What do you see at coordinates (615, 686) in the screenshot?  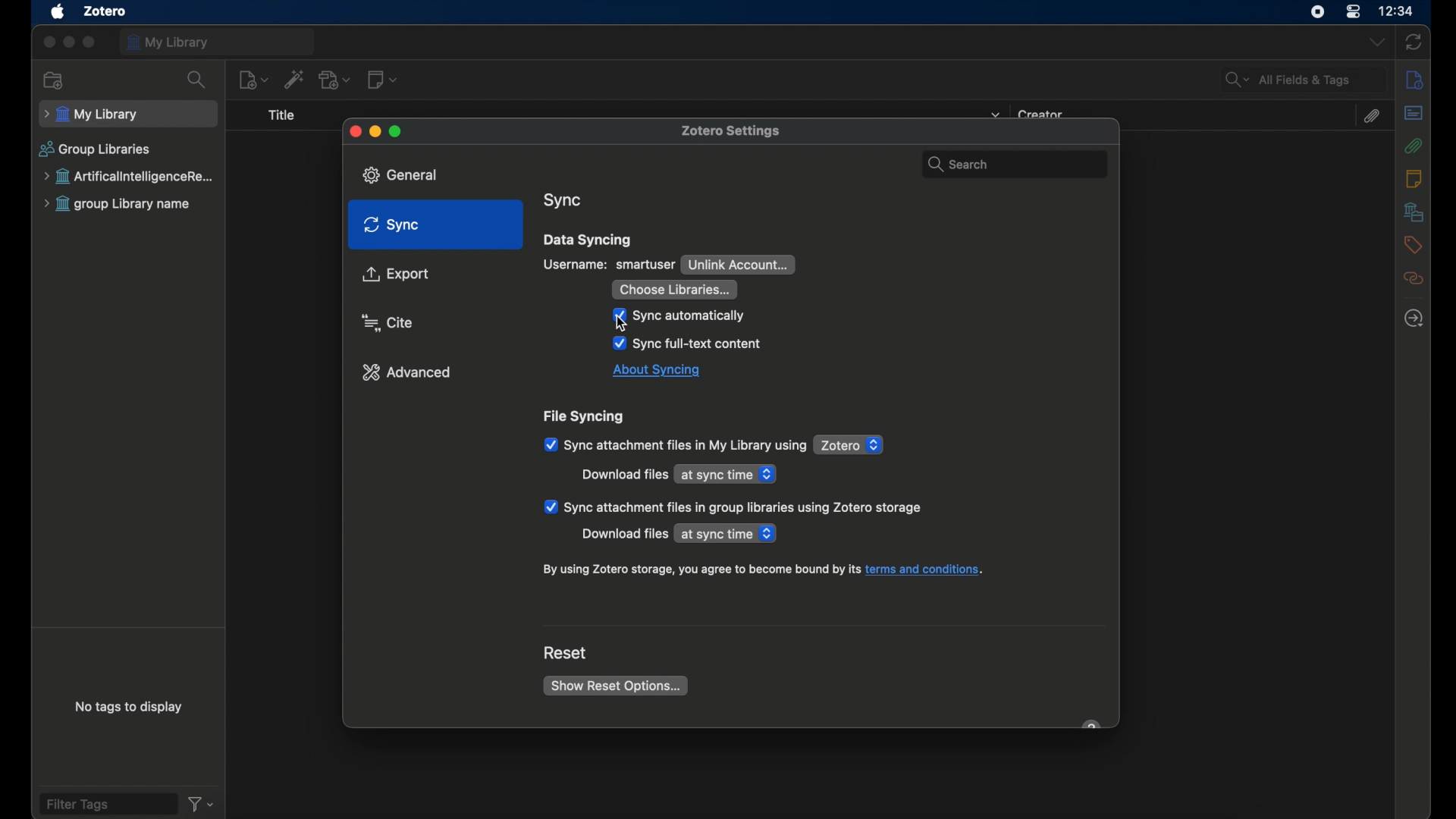 I see `show reset options` at bounding box center [615, 686].